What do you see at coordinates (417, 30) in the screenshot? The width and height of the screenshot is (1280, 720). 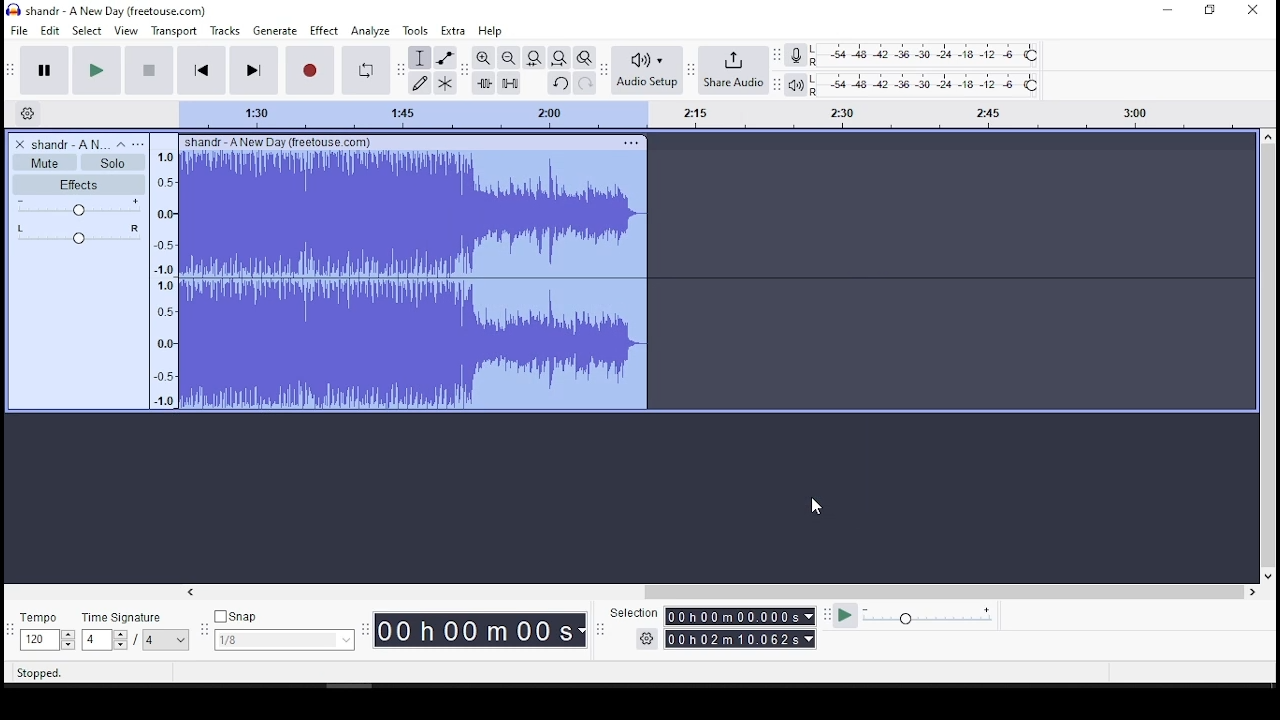 I see `tools` at bounding box center [417, 30].